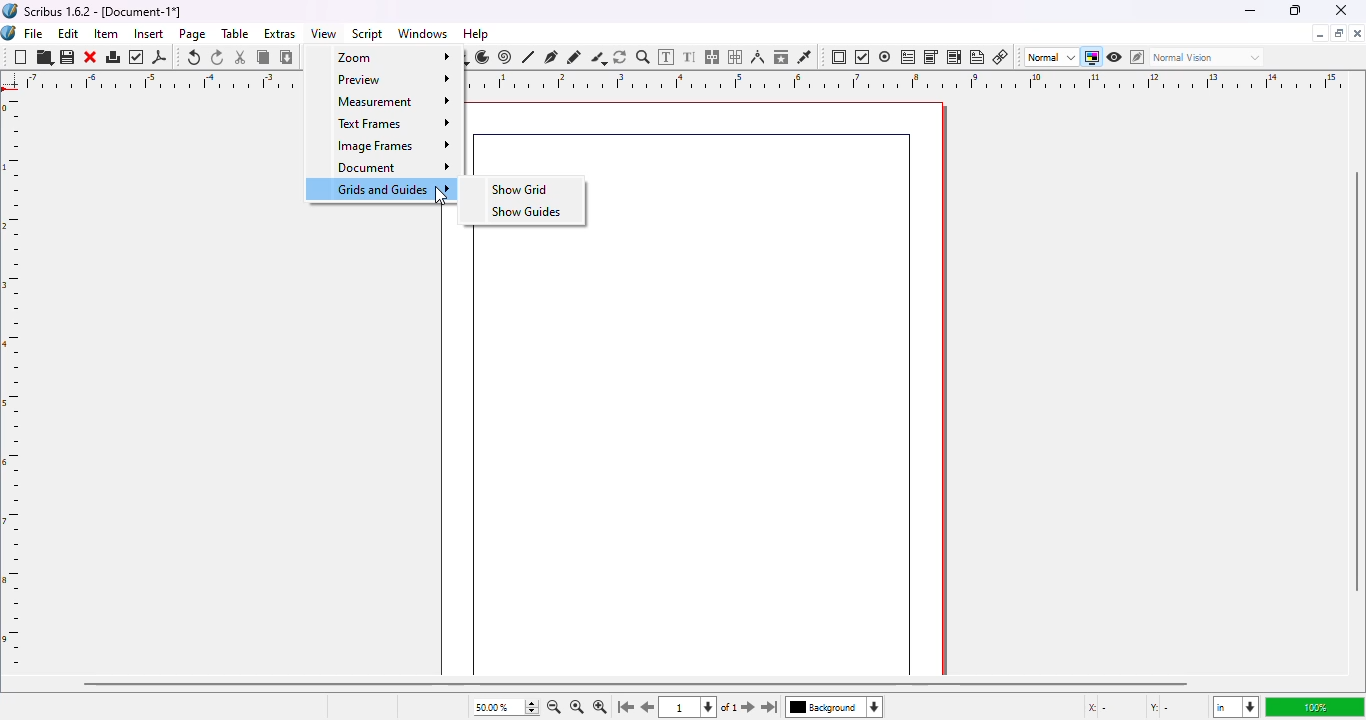 The width and height of the screenshot is (1366, 720). I want to click on rotate item, so click(621, 57).